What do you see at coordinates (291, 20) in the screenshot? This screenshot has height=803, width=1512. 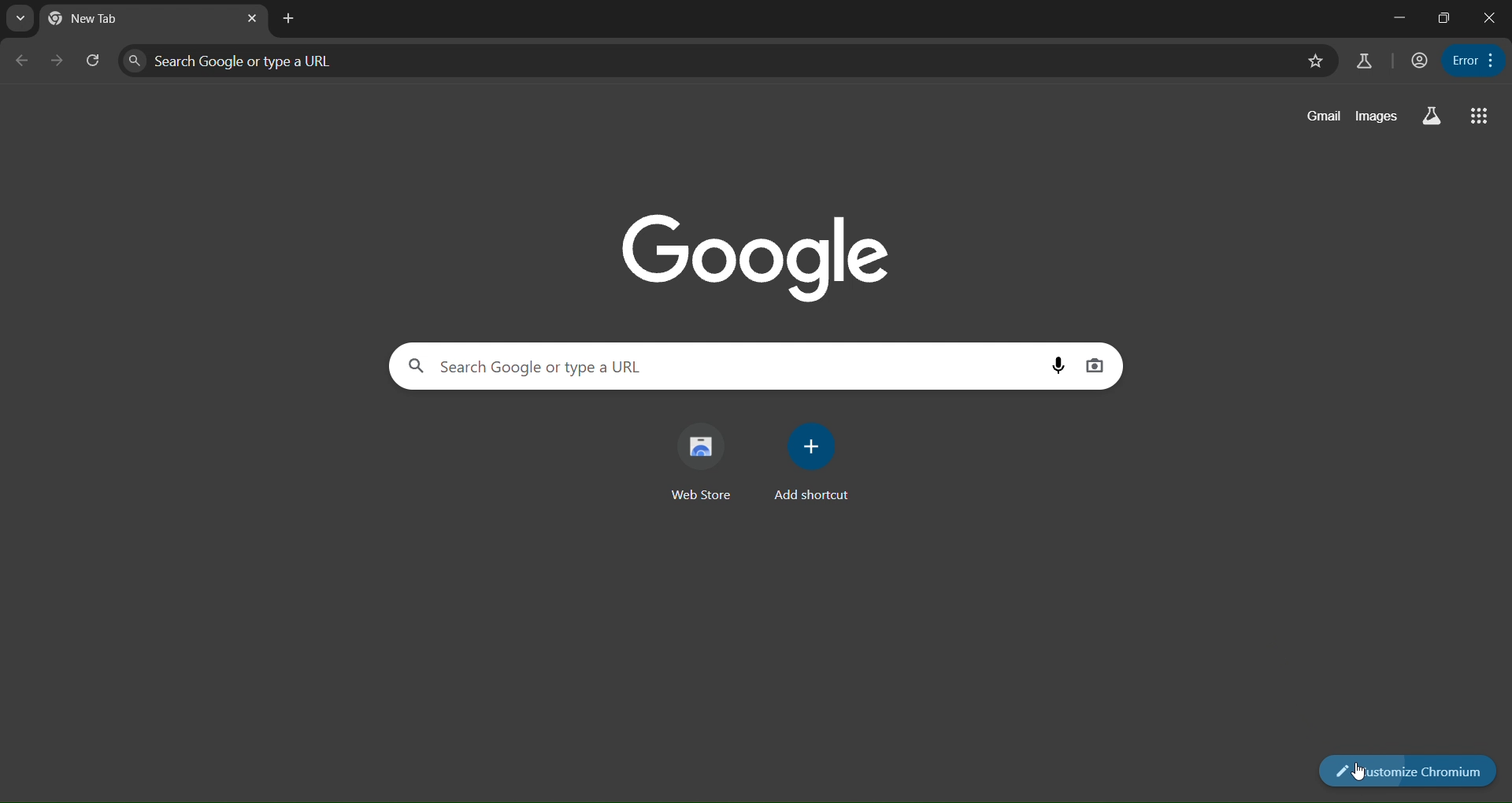 I see `close tab` at bounding box center [291, 20].